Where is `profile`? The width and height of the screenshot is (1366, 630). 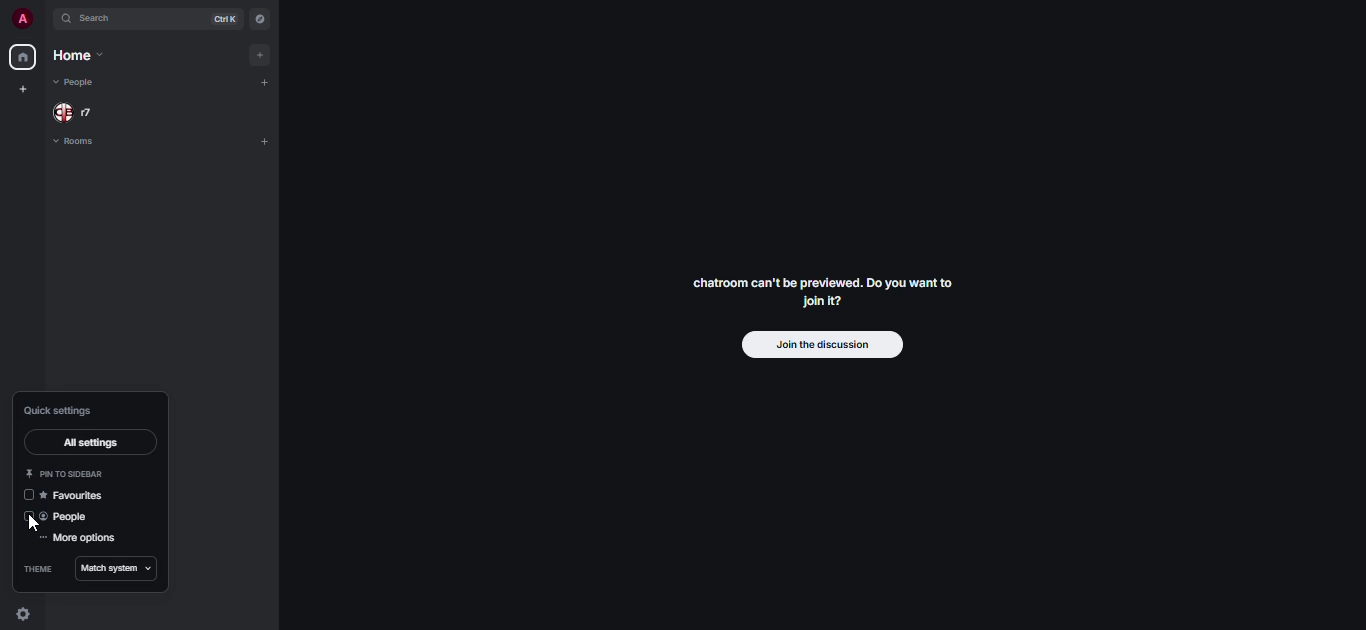
profile is located at coordinates (20, 18).